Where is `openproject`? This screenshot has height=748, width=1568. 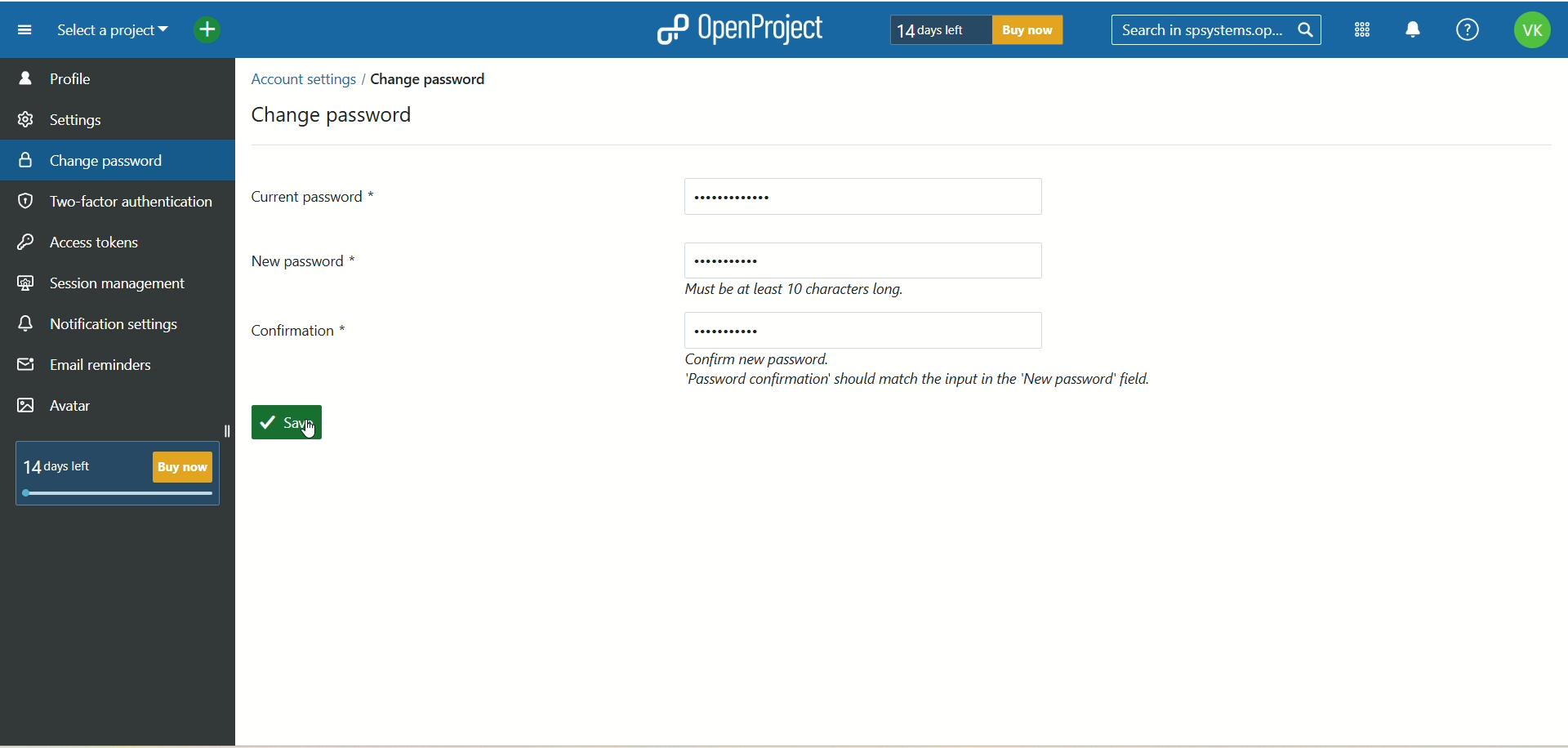
openproject is located at coordinates (736, 29).